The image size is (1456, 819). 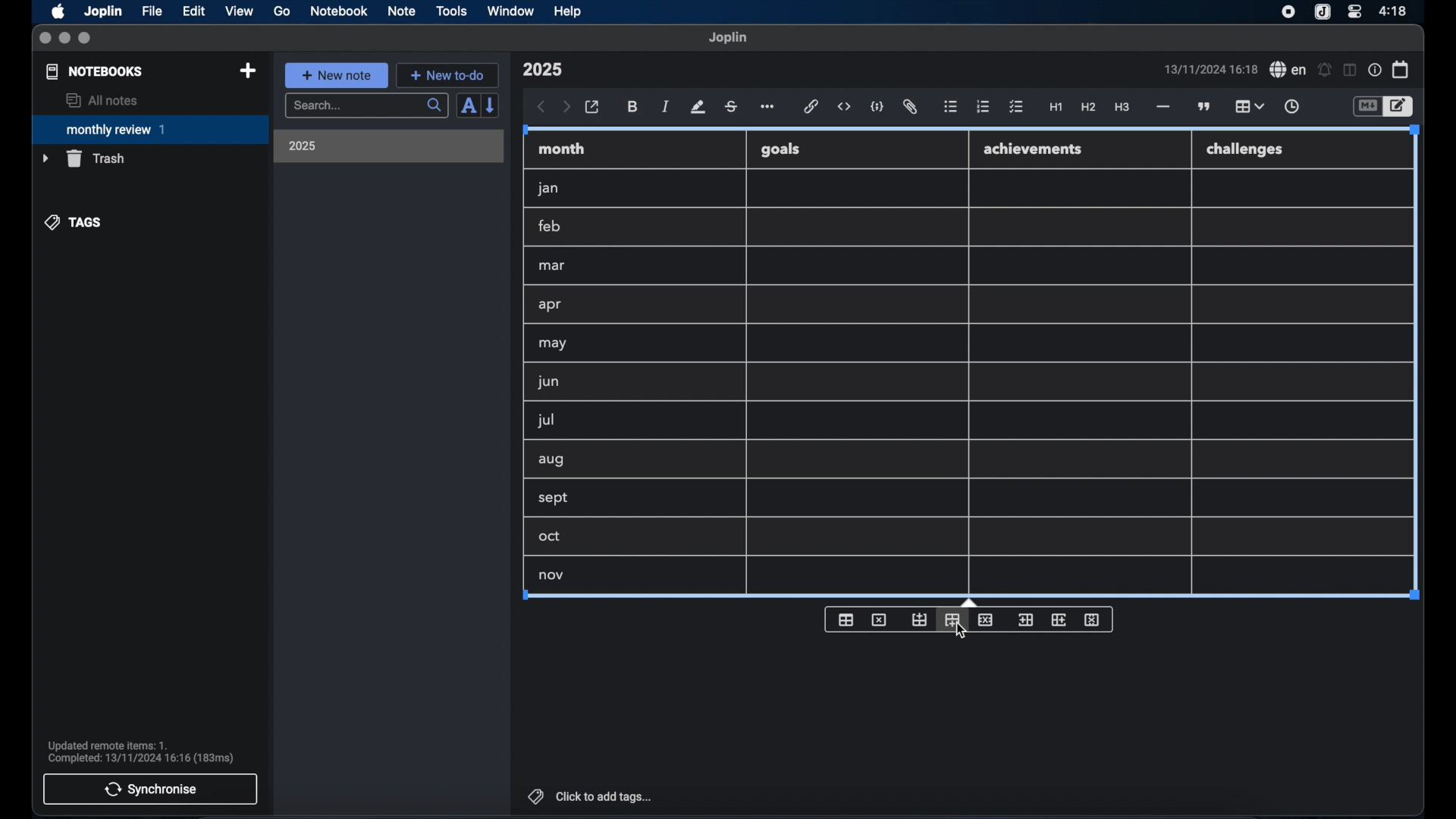 I want to click on italic, so click(x=666, y=106).